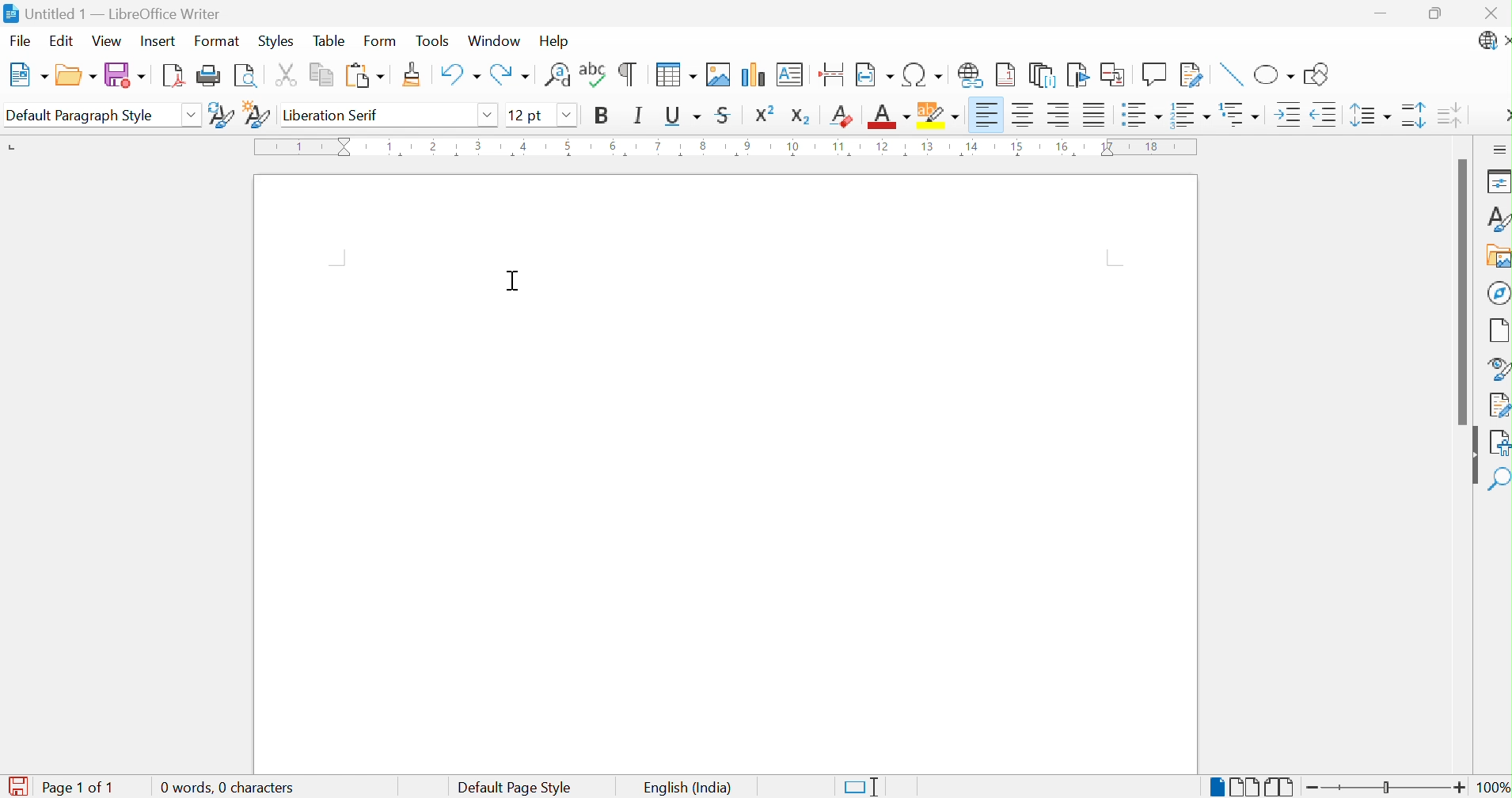 The image size is (1512, 798). What do you see at coordinates (1499, 149) in the screenshot?
I see `Sidebar Settings` at bounding box center [1499, 149].